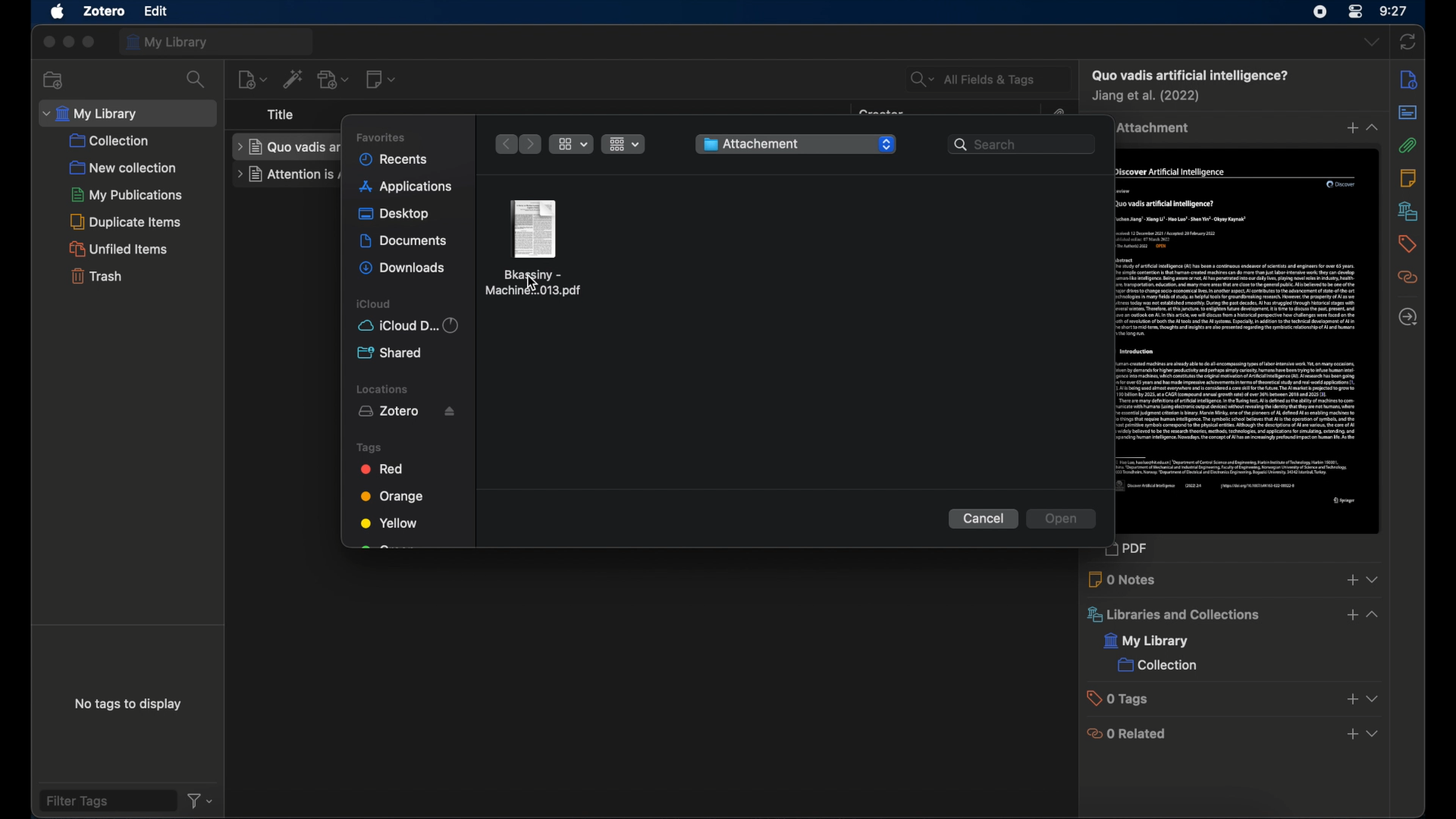  Describe the element at coordinates (412, 325) in the screenshot. I see `iCloud` at that location.